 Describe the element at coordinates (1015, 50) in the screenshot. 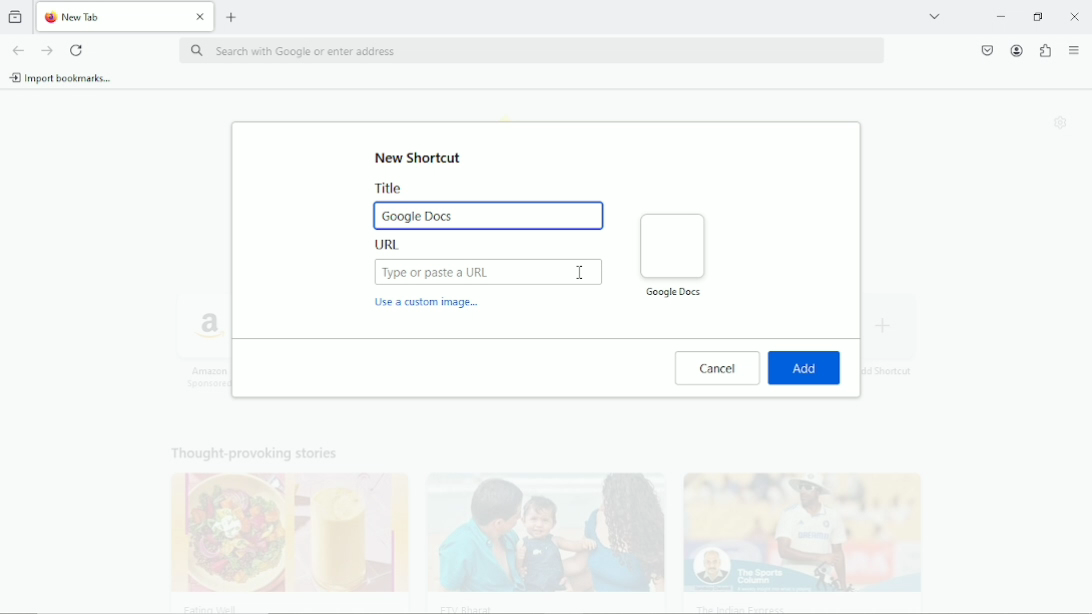

I see `account` at that location.